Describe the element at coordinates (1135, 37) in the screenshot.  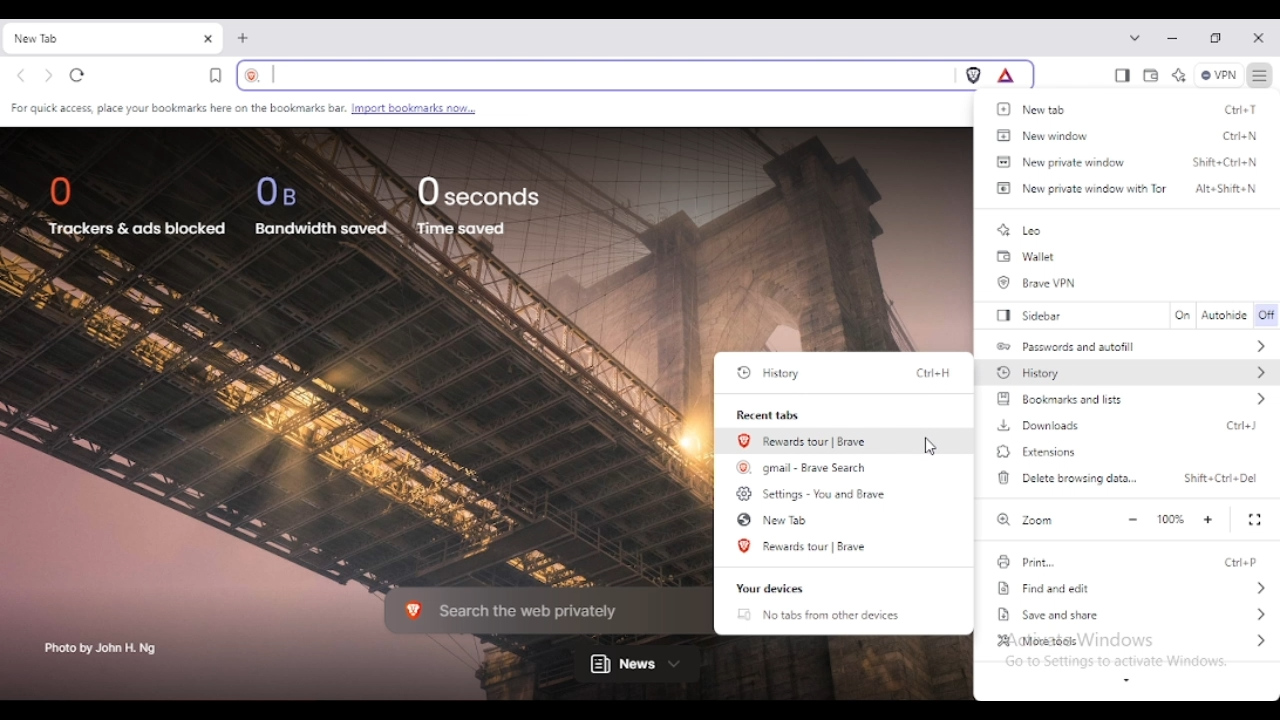
I see `search tabs` at that location.